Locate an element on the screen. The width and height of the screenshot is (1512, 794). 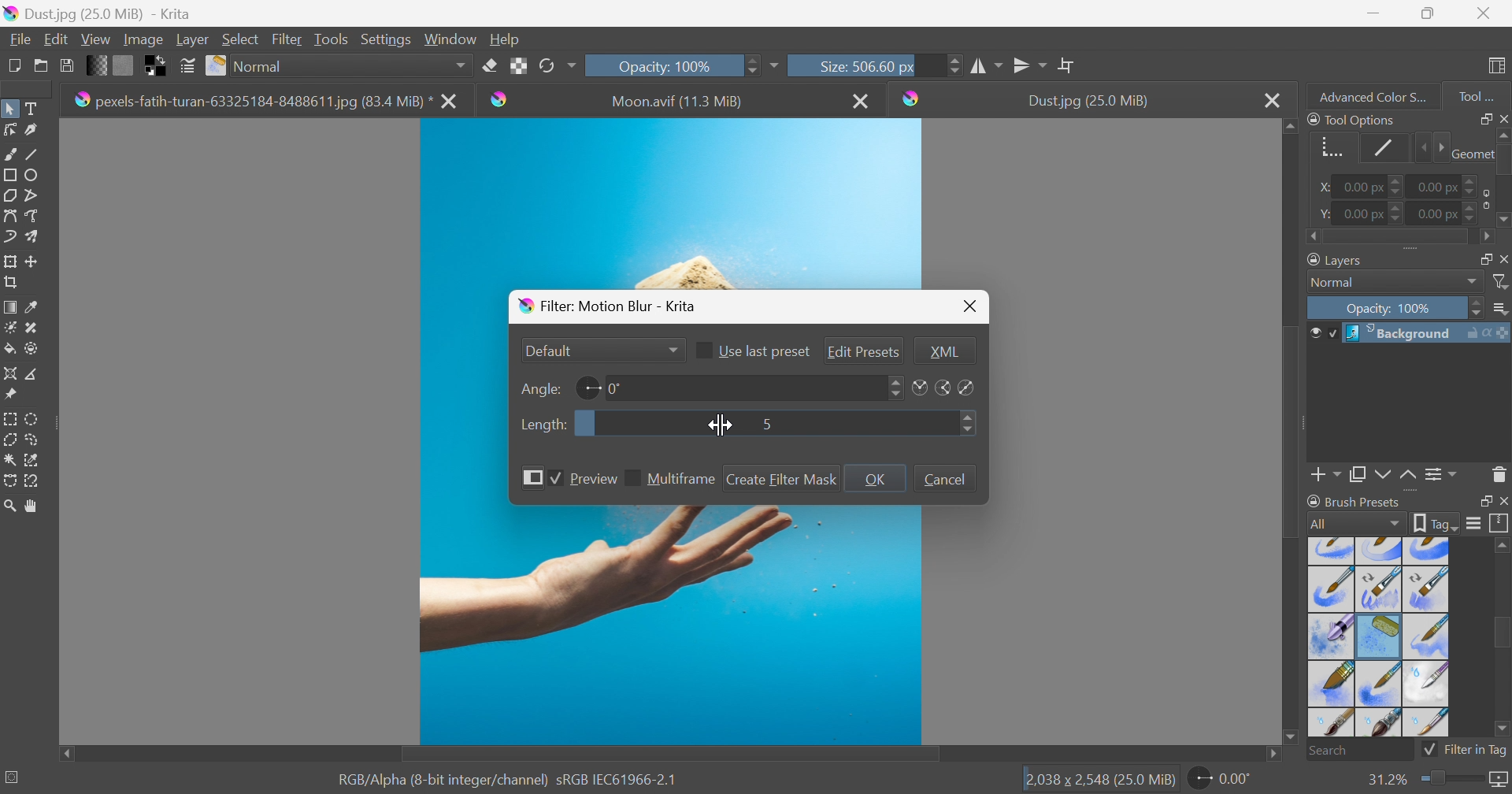
Slider is located at coordinates (1449, 779).